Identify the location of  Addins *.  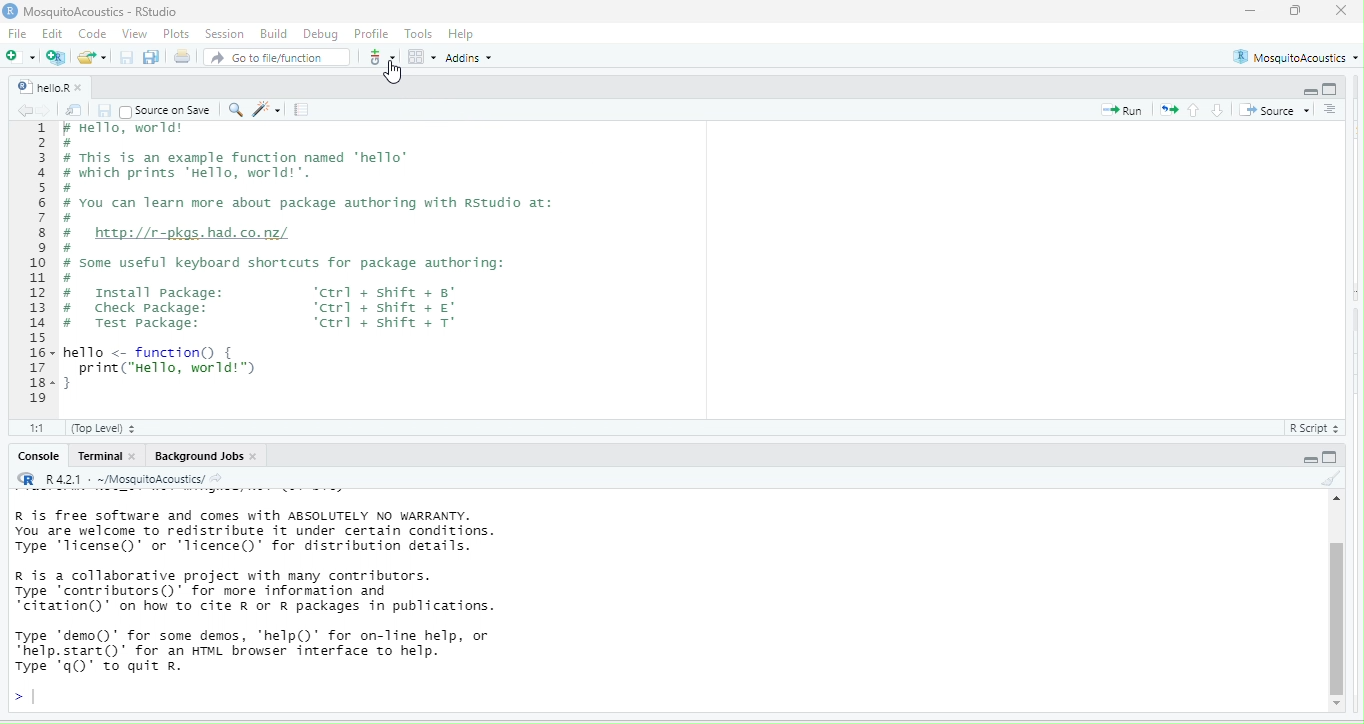
(470, 58).